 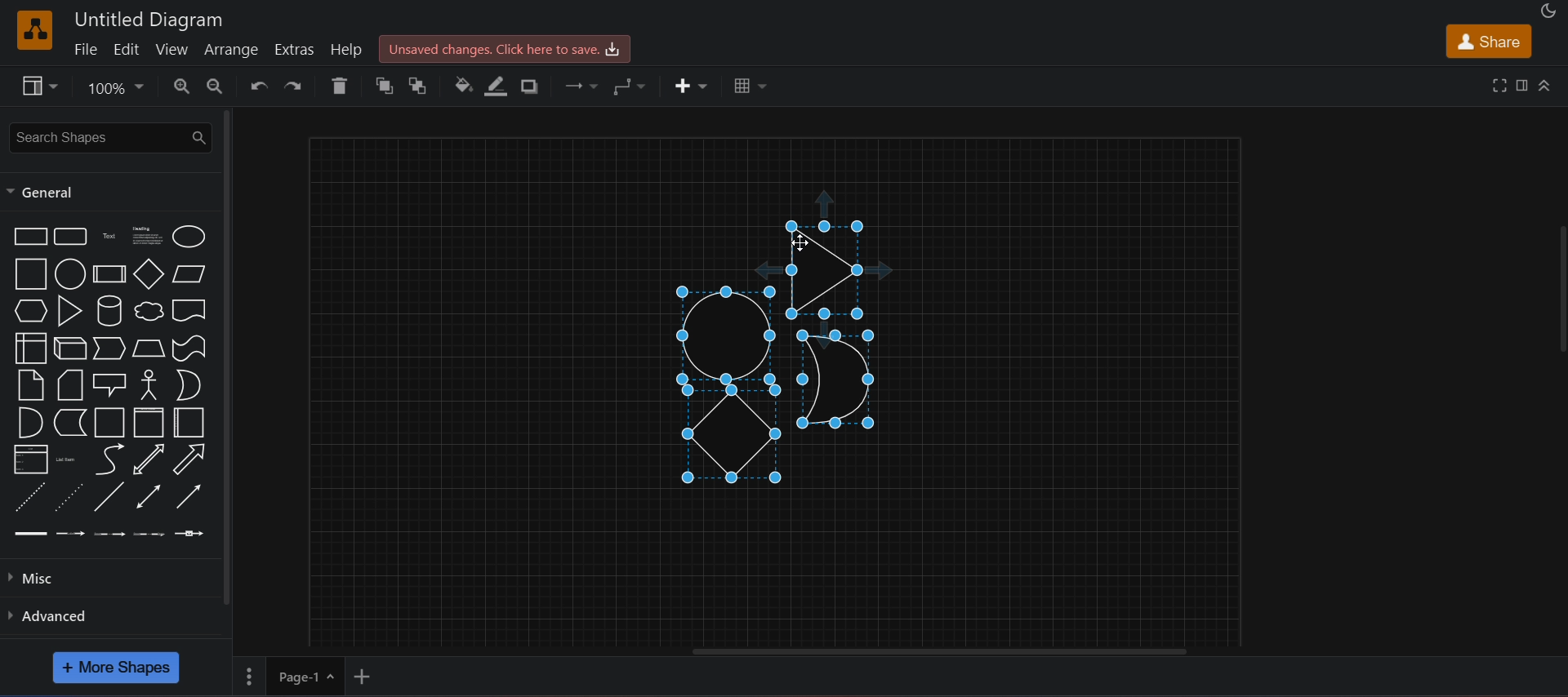 I want to click on cloud, so click(x=146, y=313).